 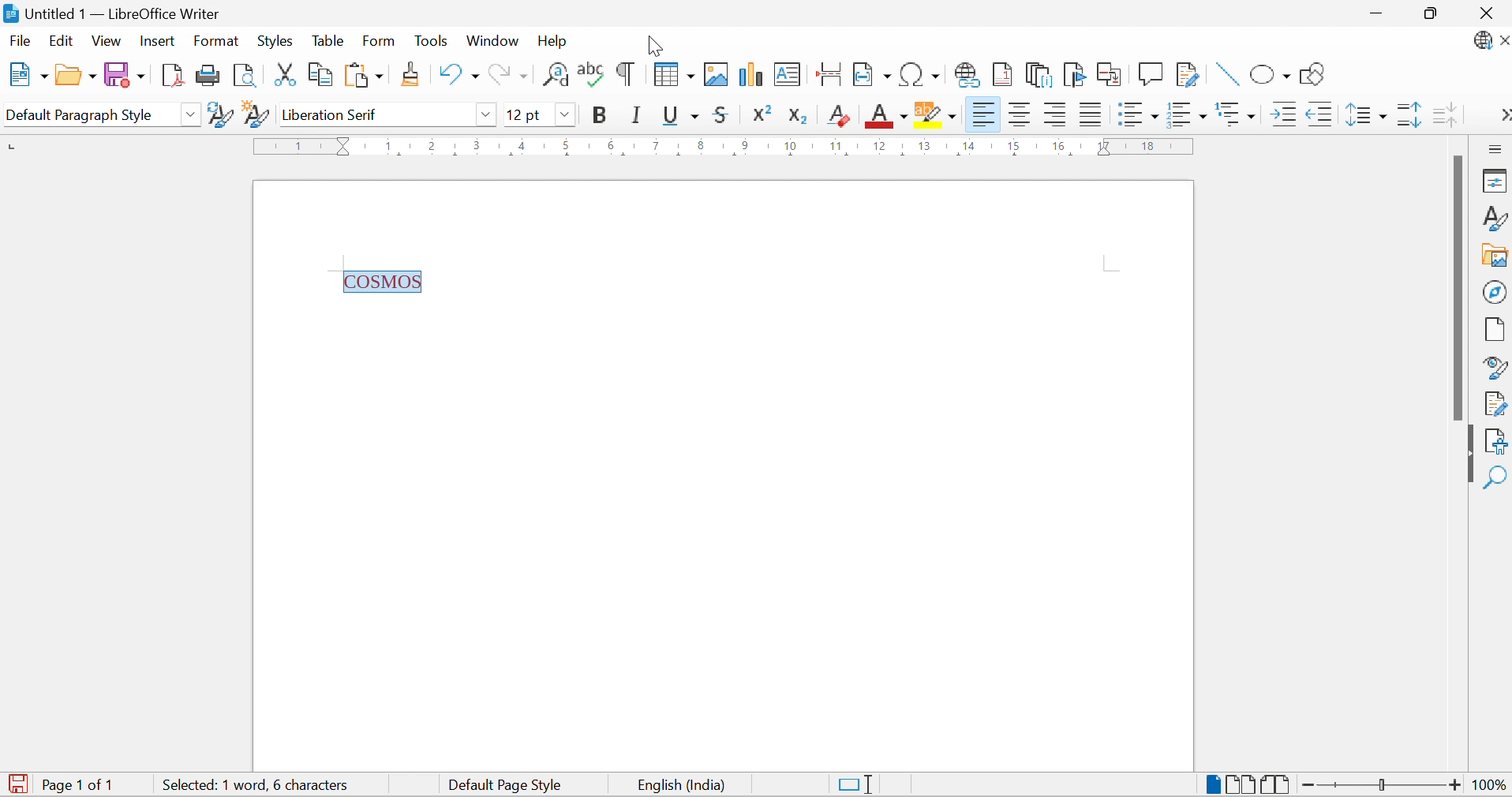 I want to click on COSMOS, so click(x=385, y=281).